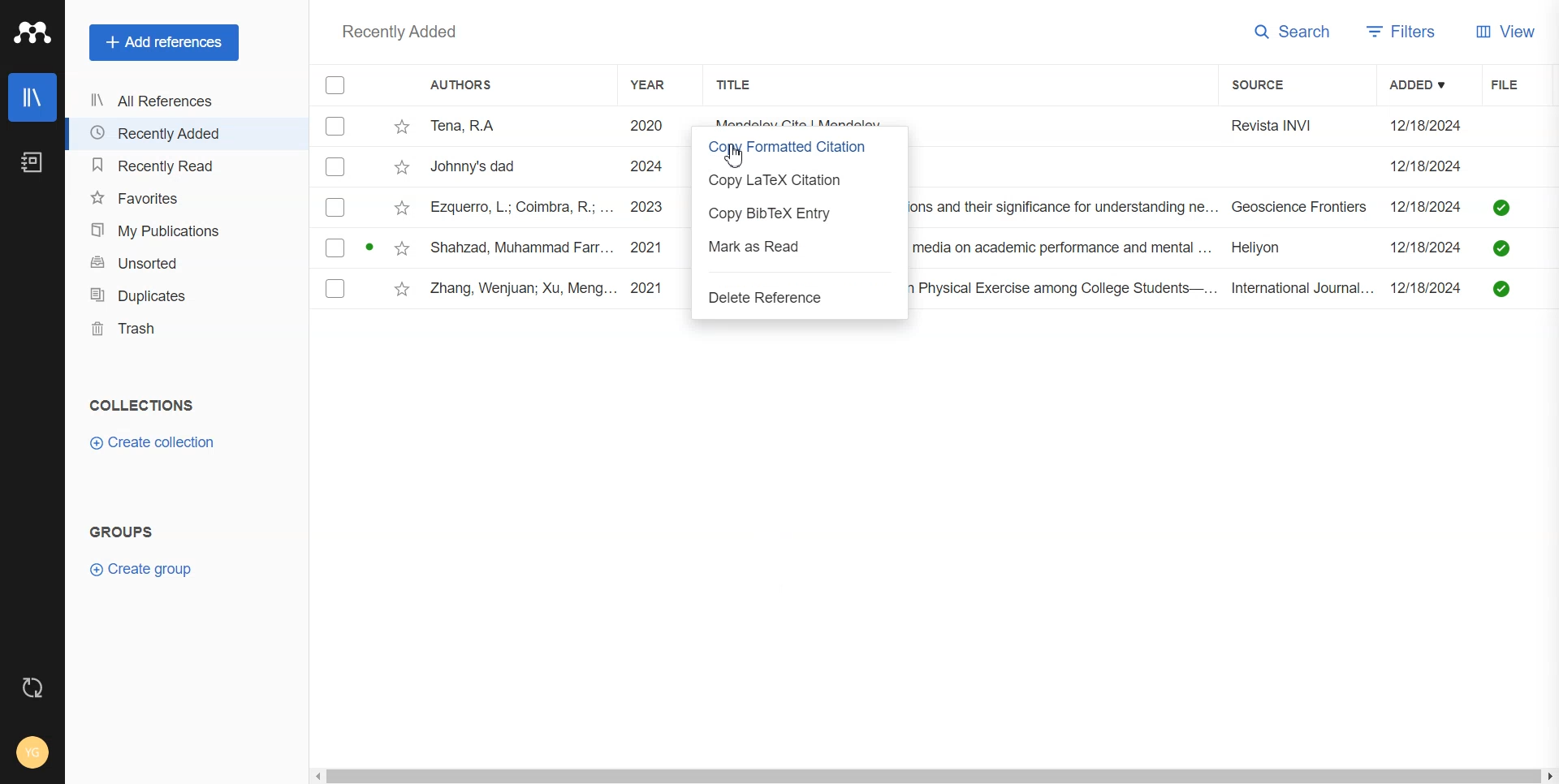  What do you see at coordinates (1406, 34) in the screenshot?
I see `Filters` at bounding box center [1406, 34].